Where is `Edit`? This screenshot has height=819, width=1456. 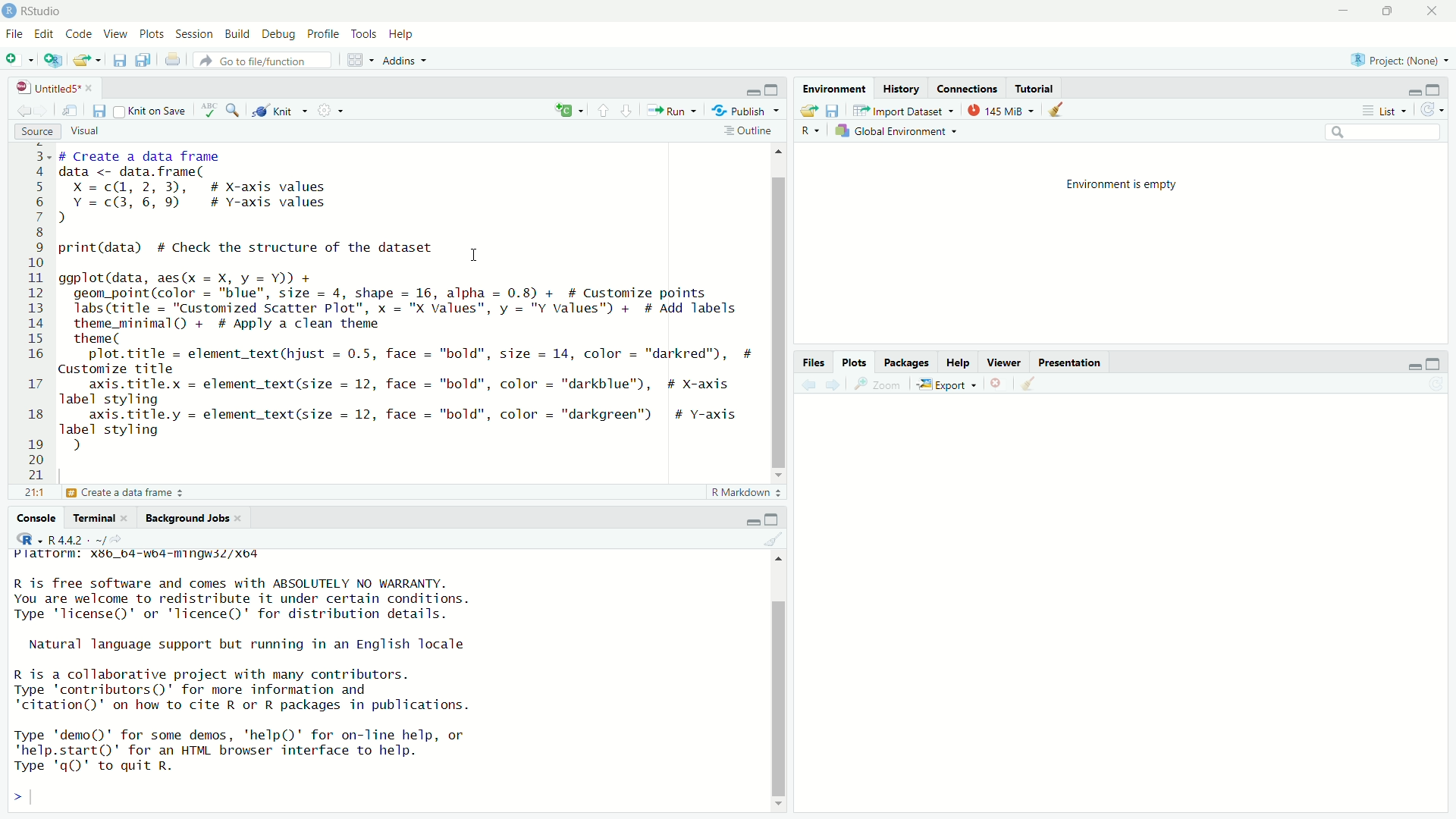
Edit is located at coordinates (45, 36).